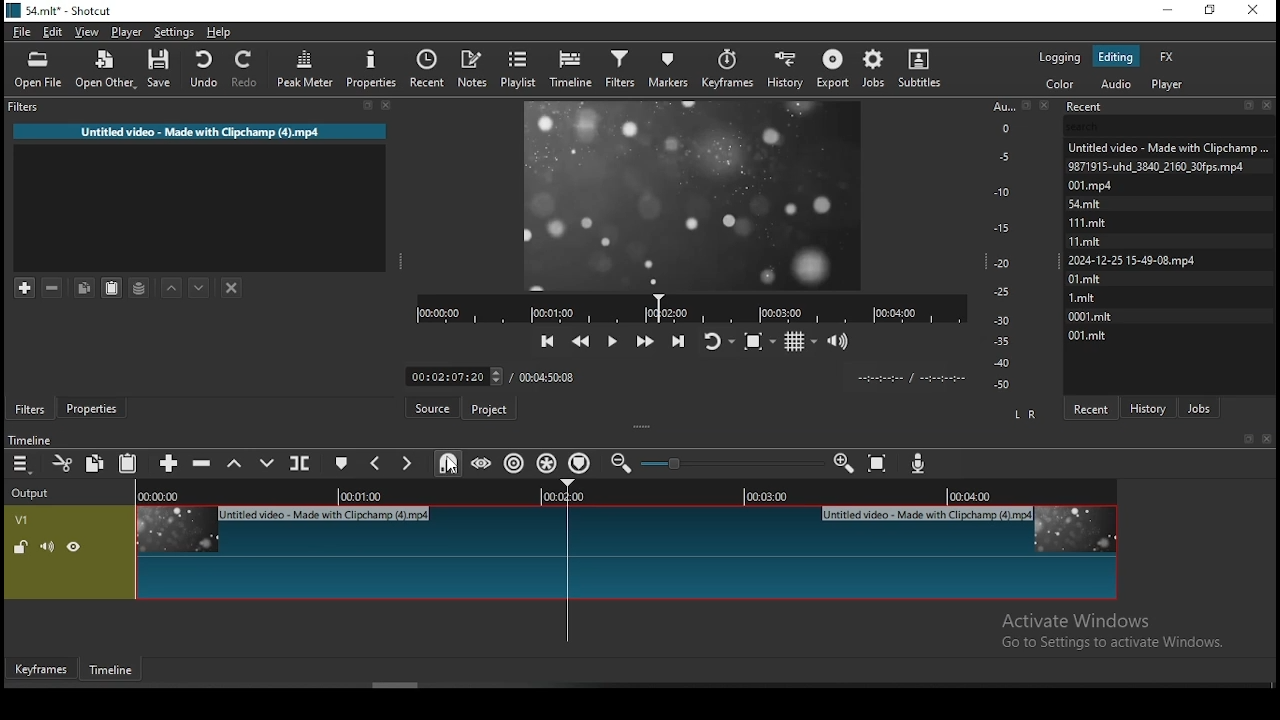  Describe the element at coordinates (75, 546) in the screenshot. I see `(un)hide` at that location.